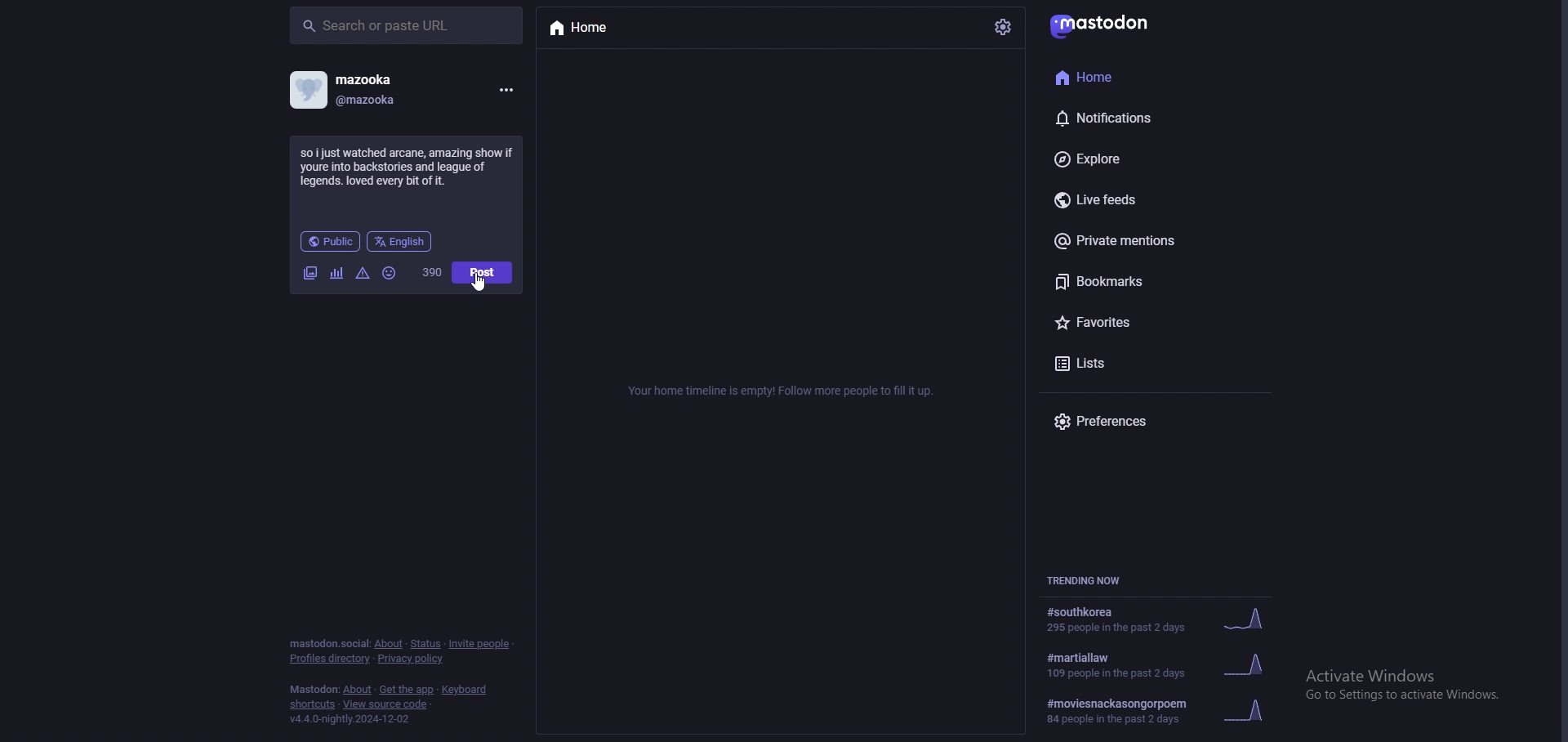 Image resolution: width=1568 pixels, height=742 pixels. What do you see at coordinates (482, 642) in the screenshot?
I see `invite people` at bounding box center [482, 642].